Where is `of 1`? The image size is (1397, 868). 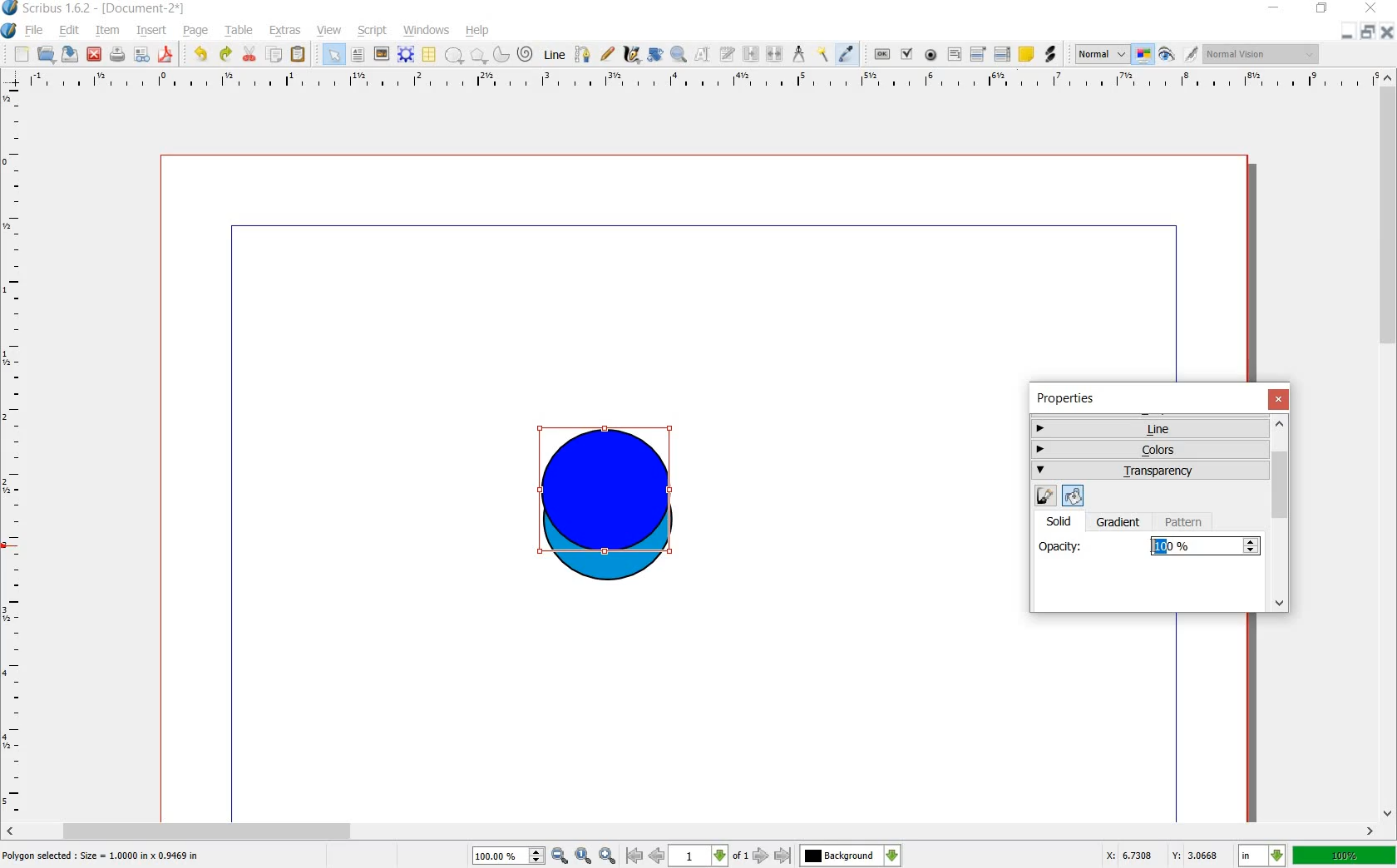 of 1 is located at coordinates (740, 856).